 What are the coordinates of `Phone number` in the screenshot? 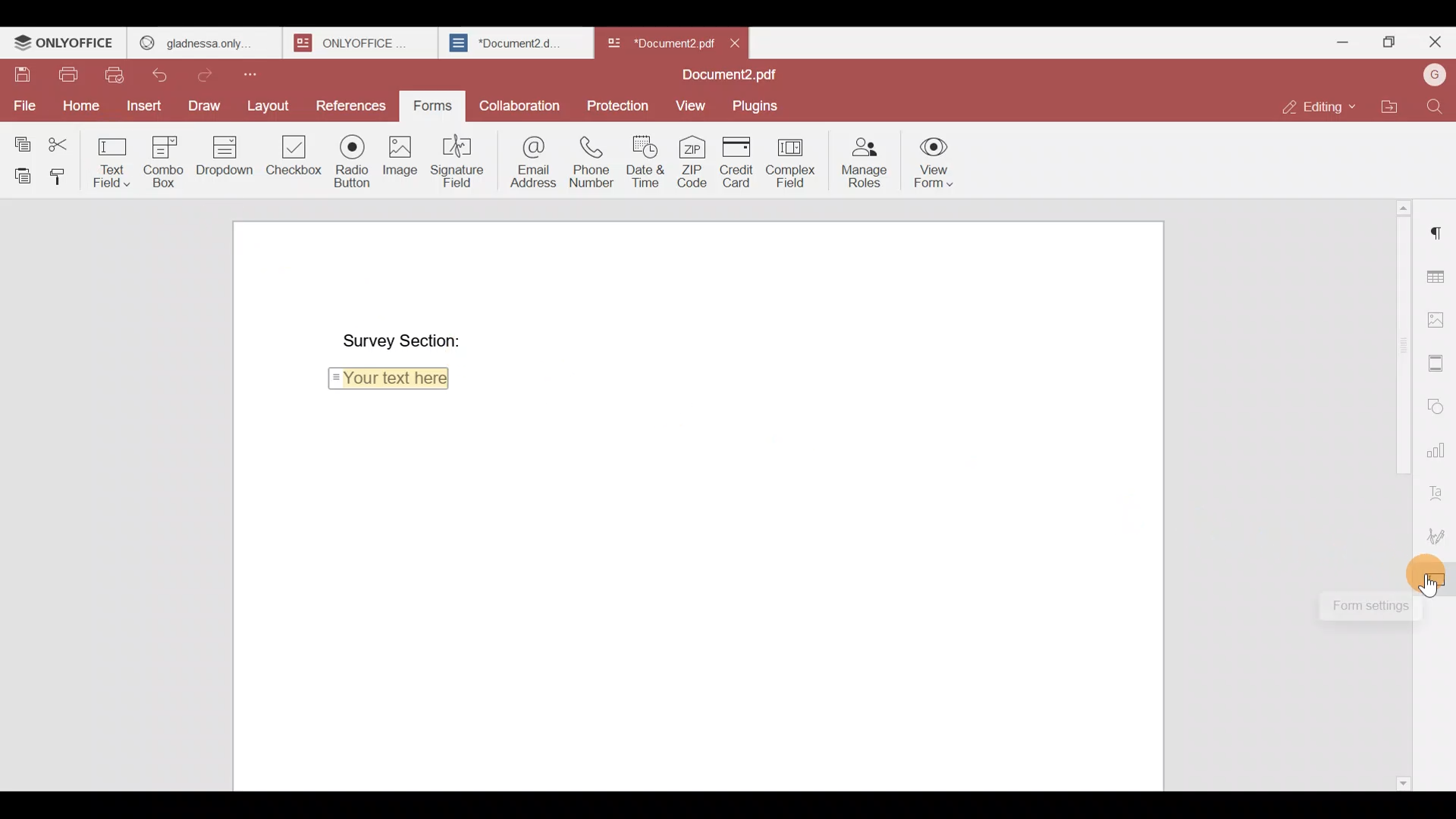 It's located at (593, 161).